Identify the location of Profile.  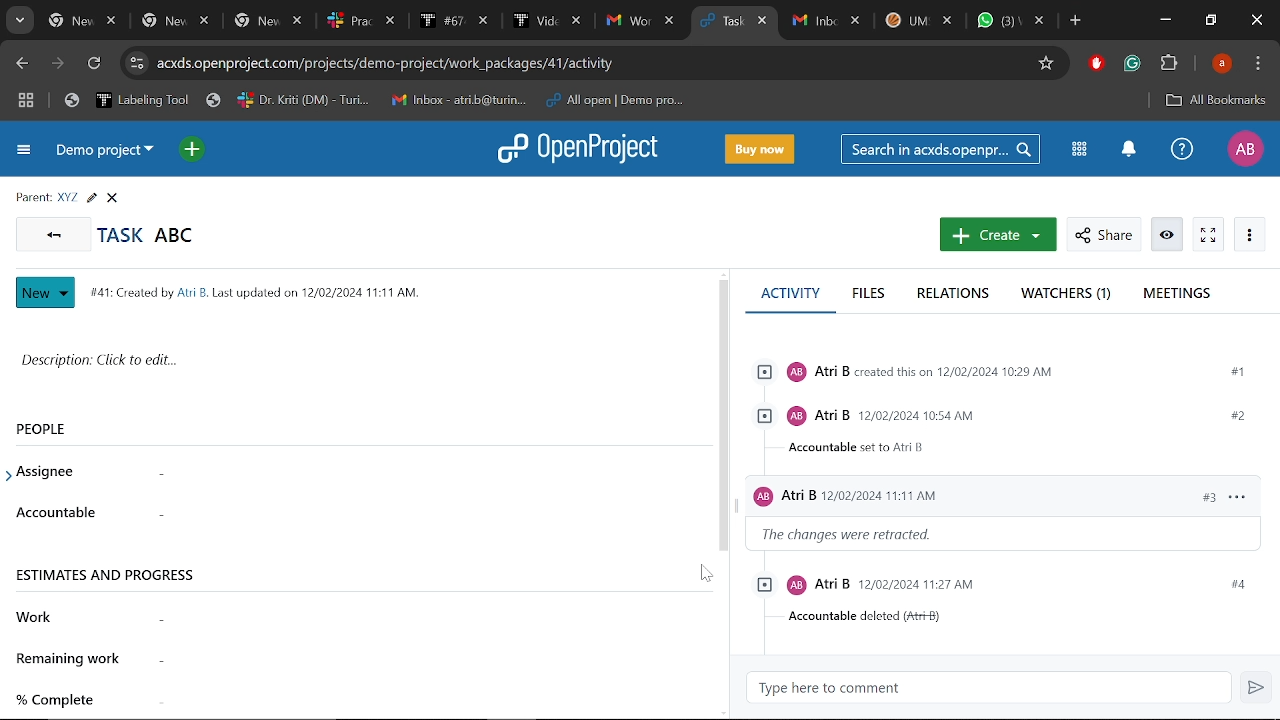
(1244, 148).